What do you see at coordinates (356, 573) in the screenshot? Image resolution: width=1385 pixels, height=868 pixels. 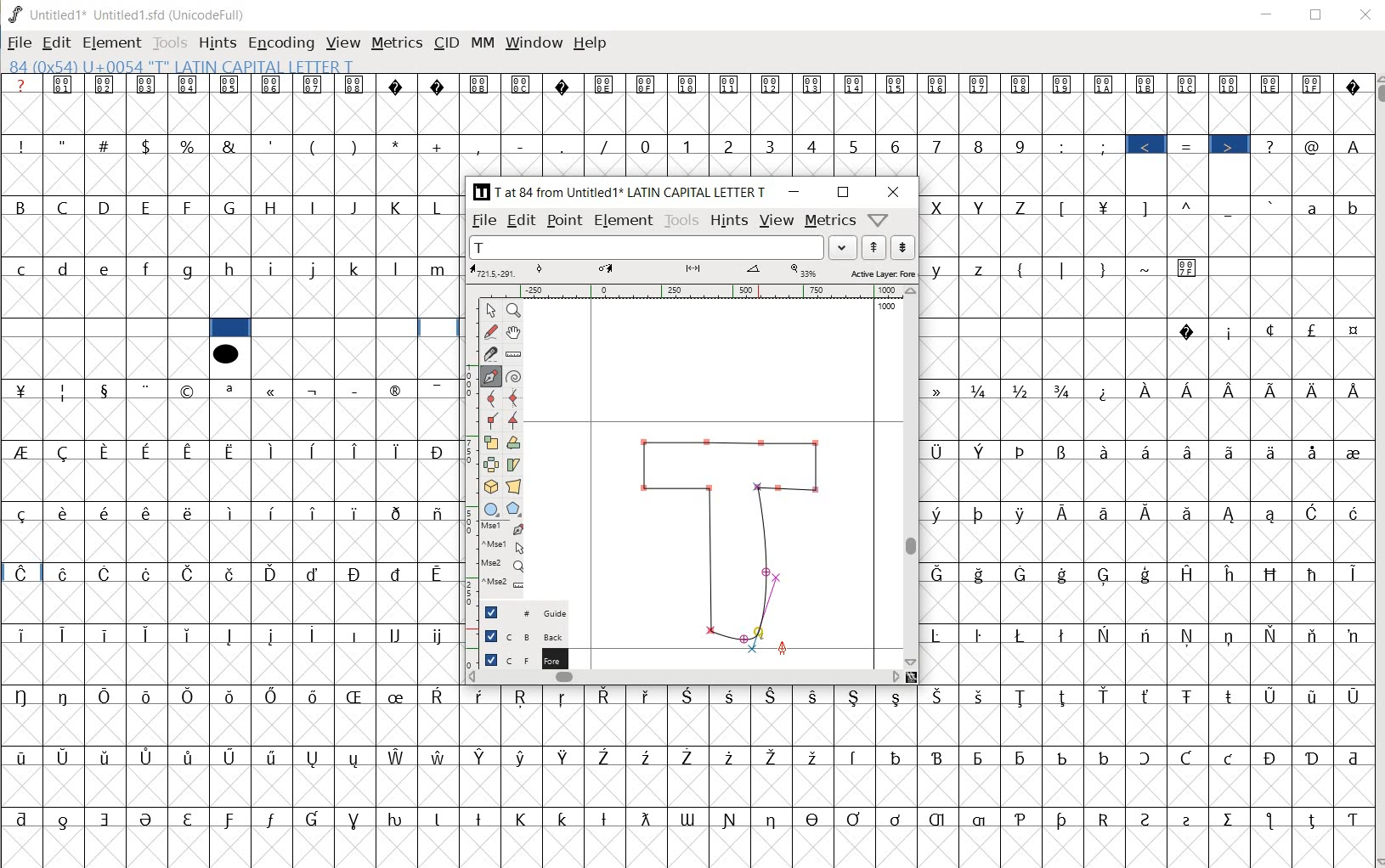 I see `Symbol` at bounding box center [356, 573].